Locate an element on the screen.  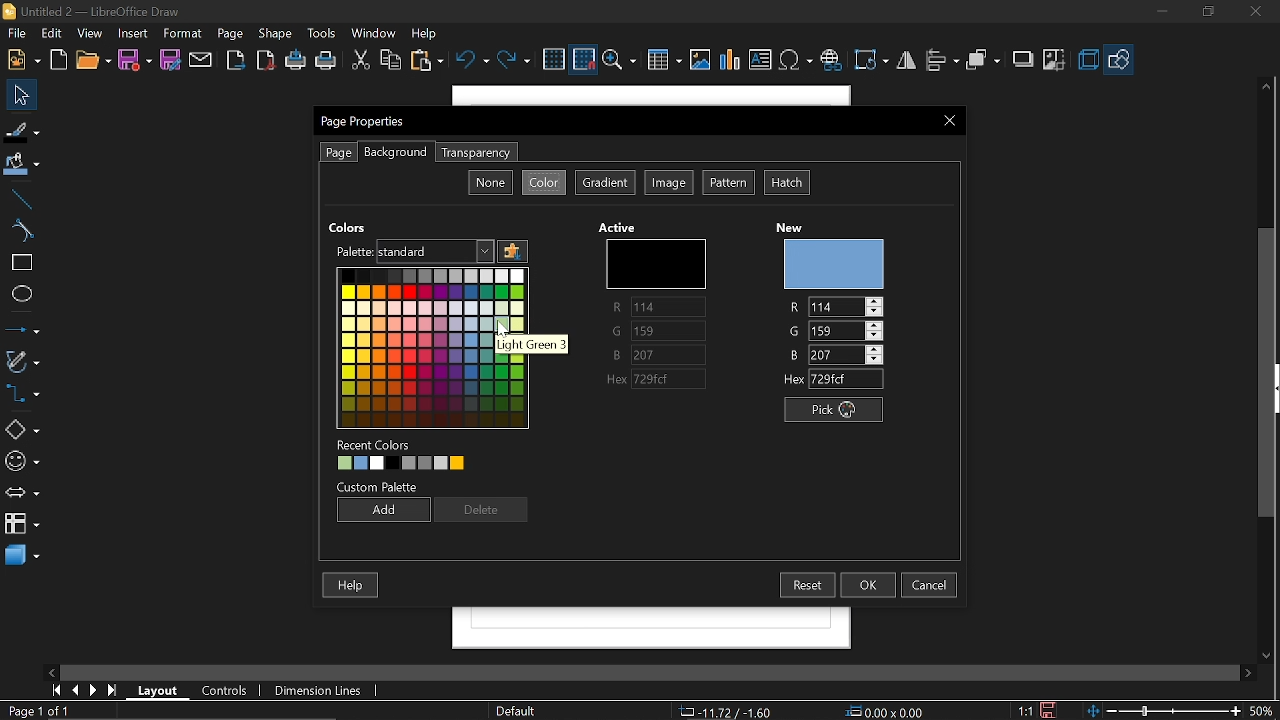
Reset is located at coordinates (809, 585).